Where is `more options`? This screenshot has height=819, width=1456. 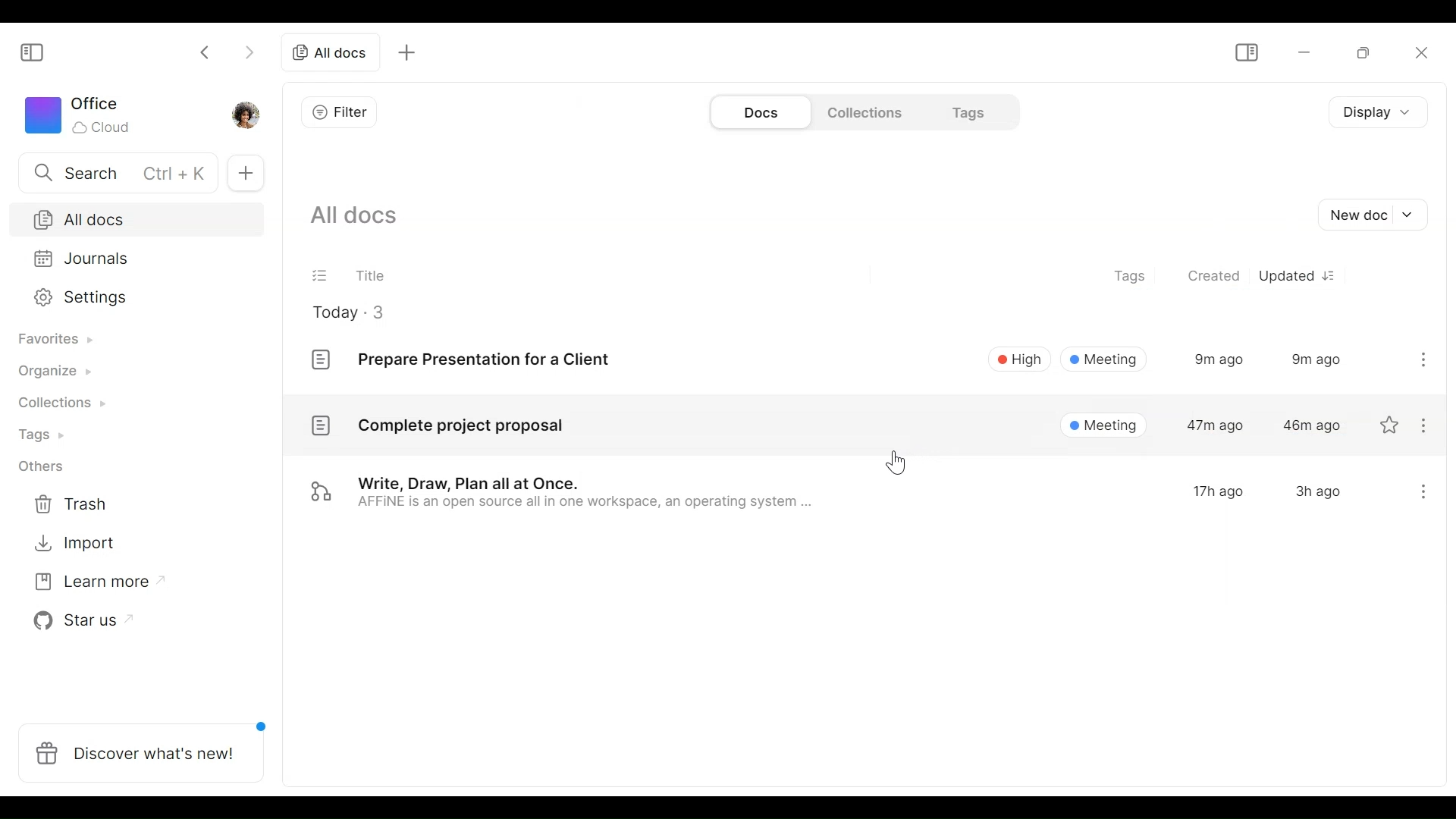
more options is located at coordinates (1425, 427).